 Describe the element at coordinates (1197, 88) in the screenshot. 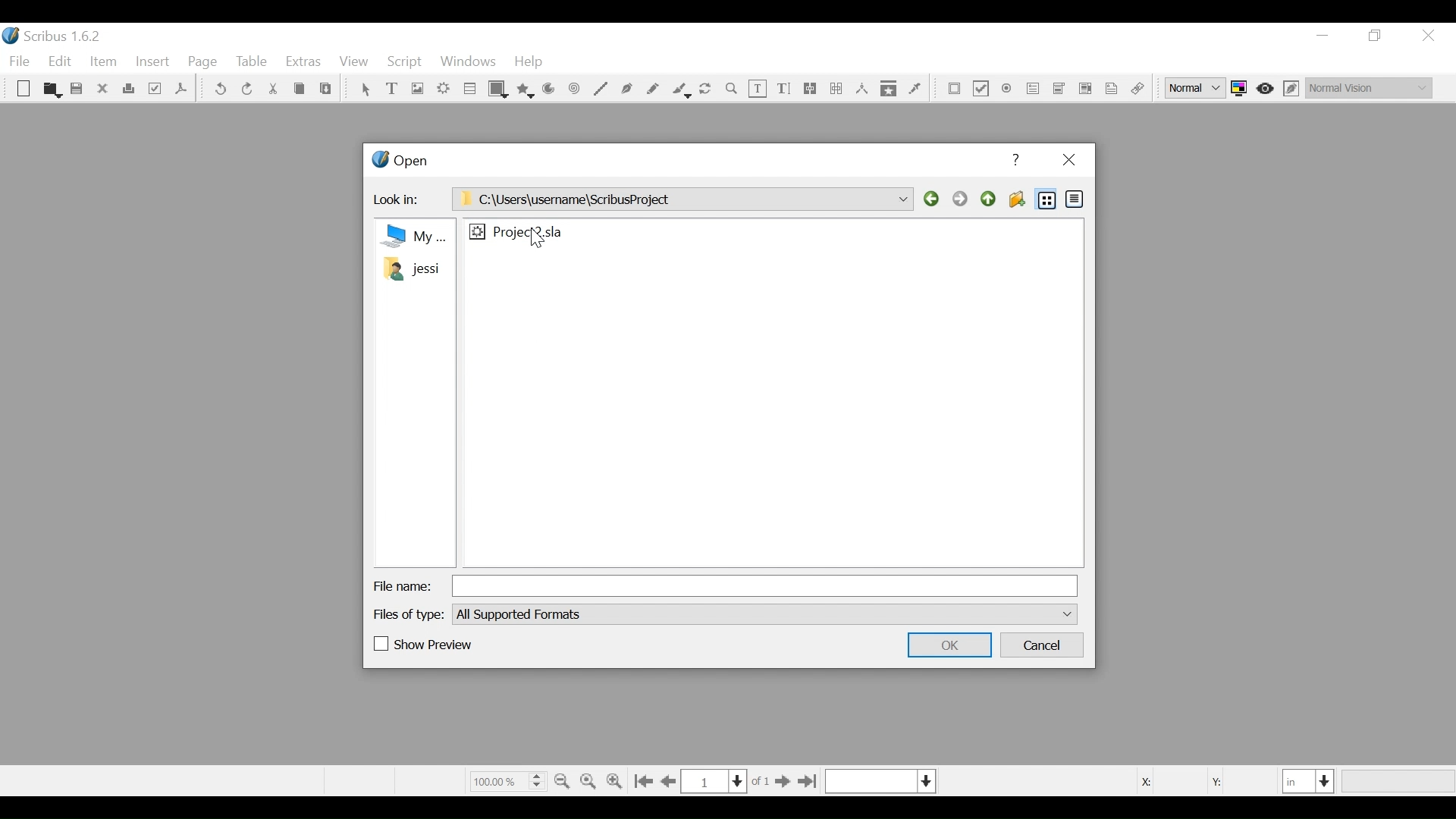

I see `Select the image preview quality` at that location.